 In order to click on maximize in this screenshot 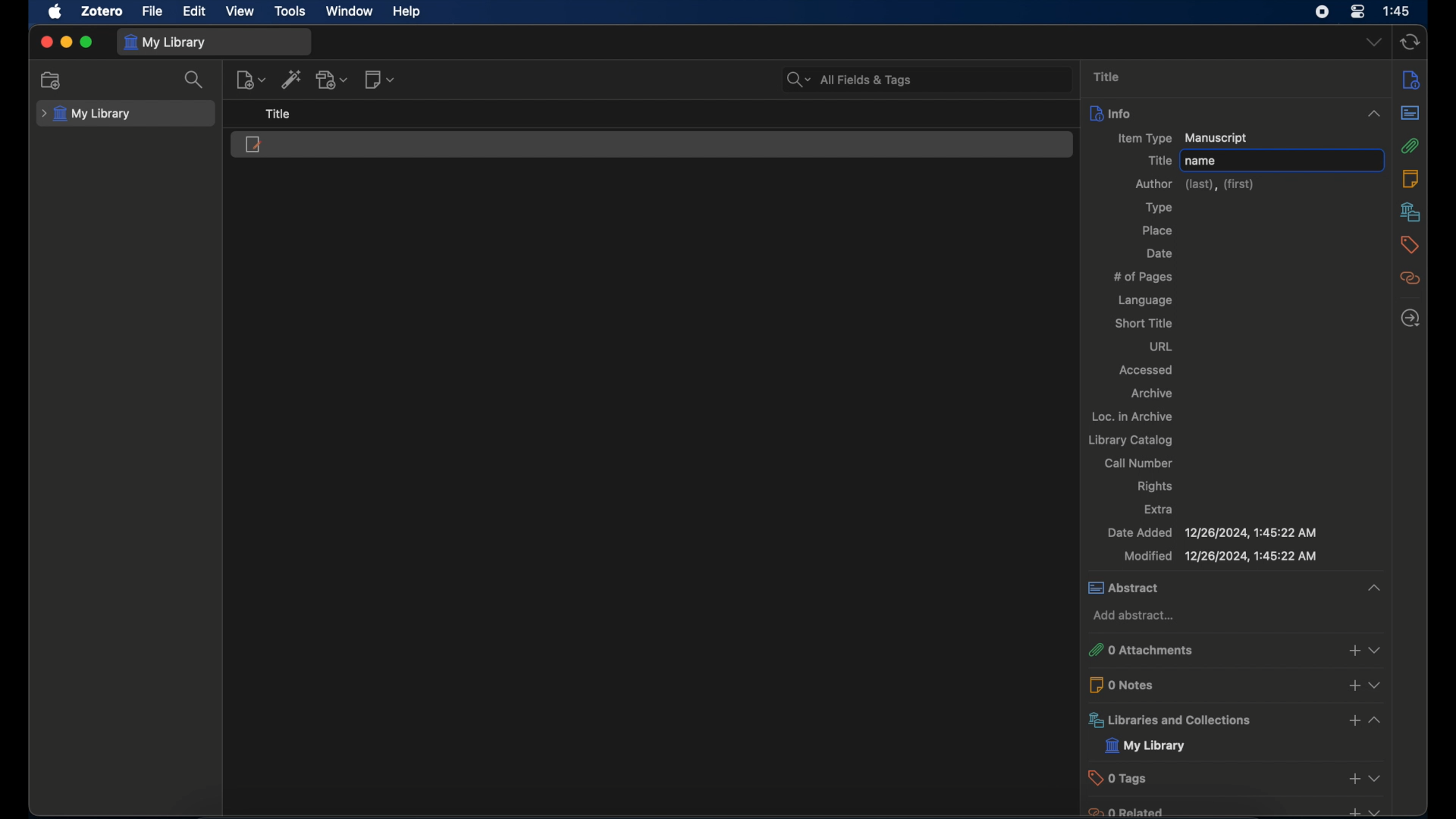, I will do `click(86, 42)`.